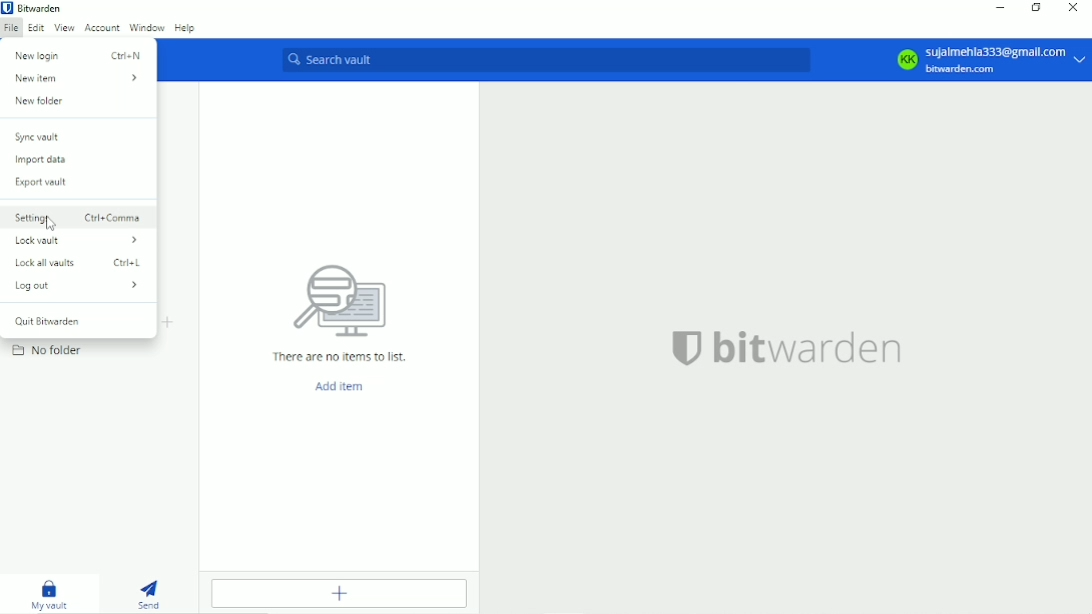 This screenshot has width=1092, height=614. I want to click on logo, so click(681, 349).